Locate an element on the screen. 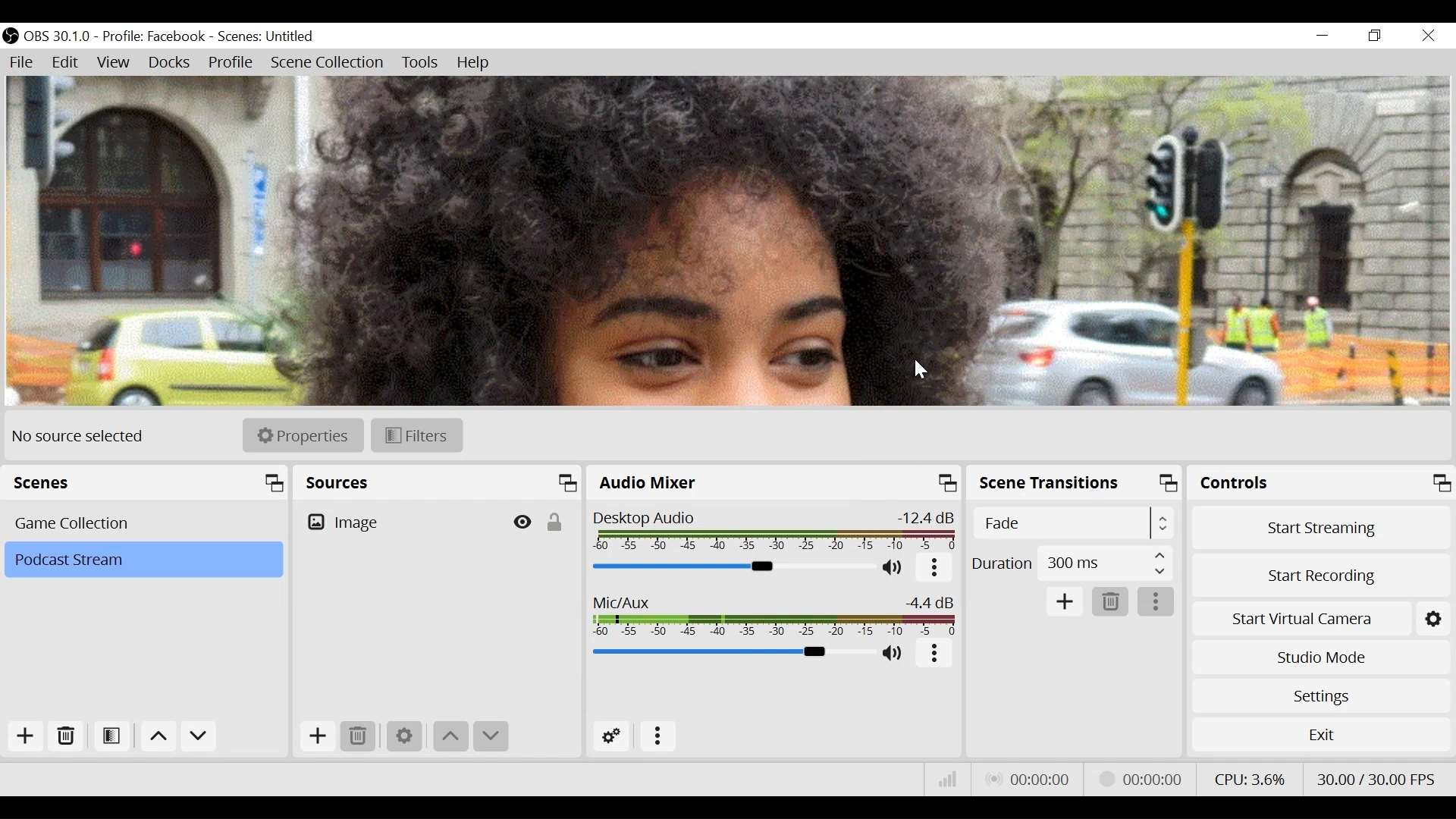 The height and width of the screenshot is (819, 1456). More options is located at coordinates (935, 654).